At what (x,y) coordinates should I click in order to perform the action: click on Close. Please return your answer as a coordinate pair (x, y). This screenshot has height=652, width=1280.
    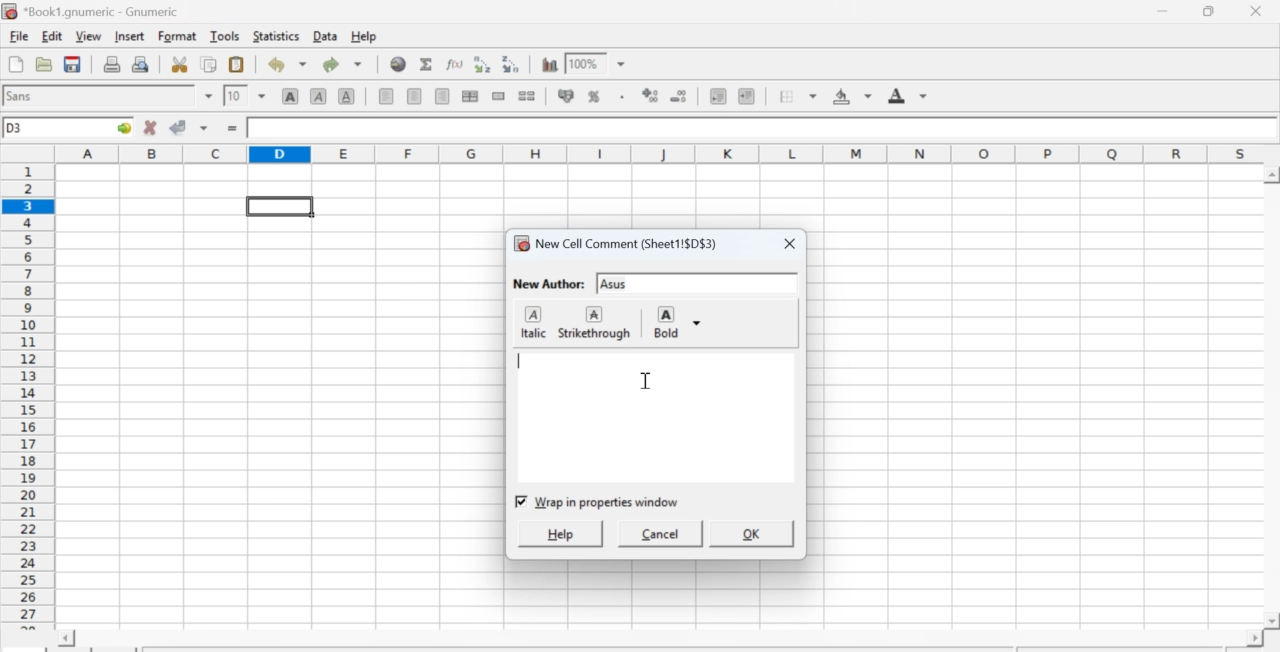
    Looking at the image, I should click on (1257, 12).